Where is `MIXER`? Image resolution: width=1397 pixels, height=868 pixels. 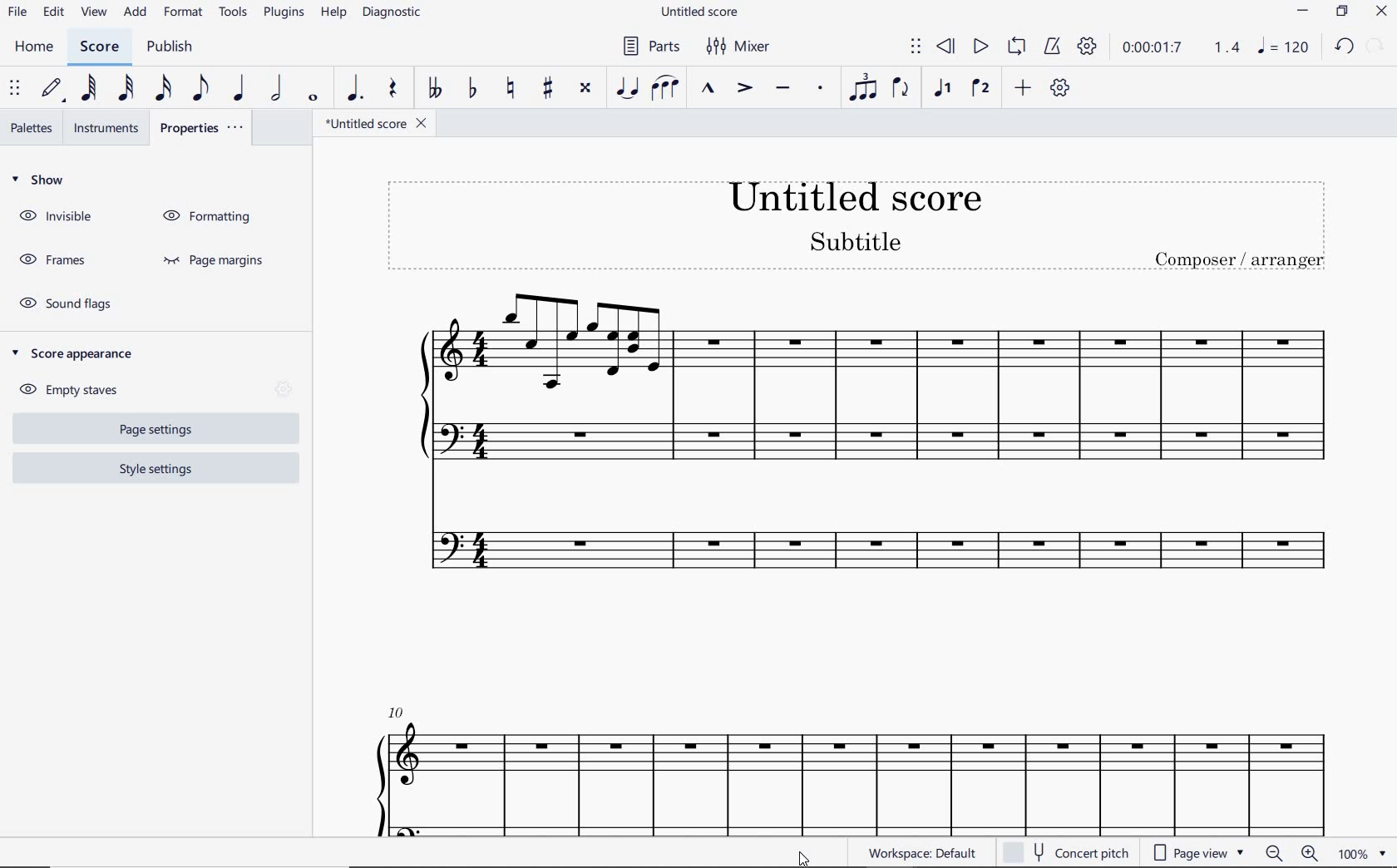
MIXER is located at coordinates (739, 45).